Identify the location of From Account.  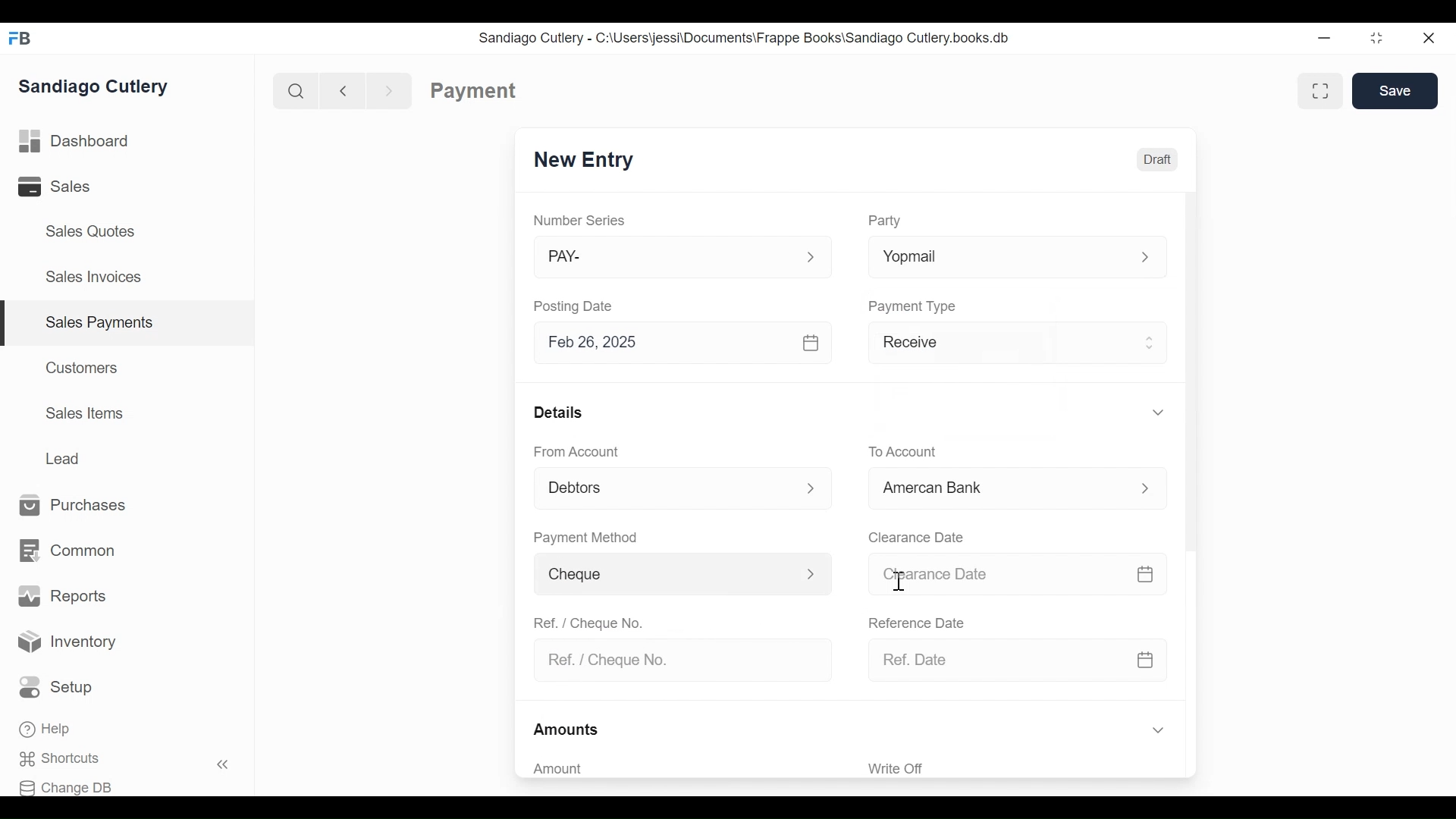
(578, 452).